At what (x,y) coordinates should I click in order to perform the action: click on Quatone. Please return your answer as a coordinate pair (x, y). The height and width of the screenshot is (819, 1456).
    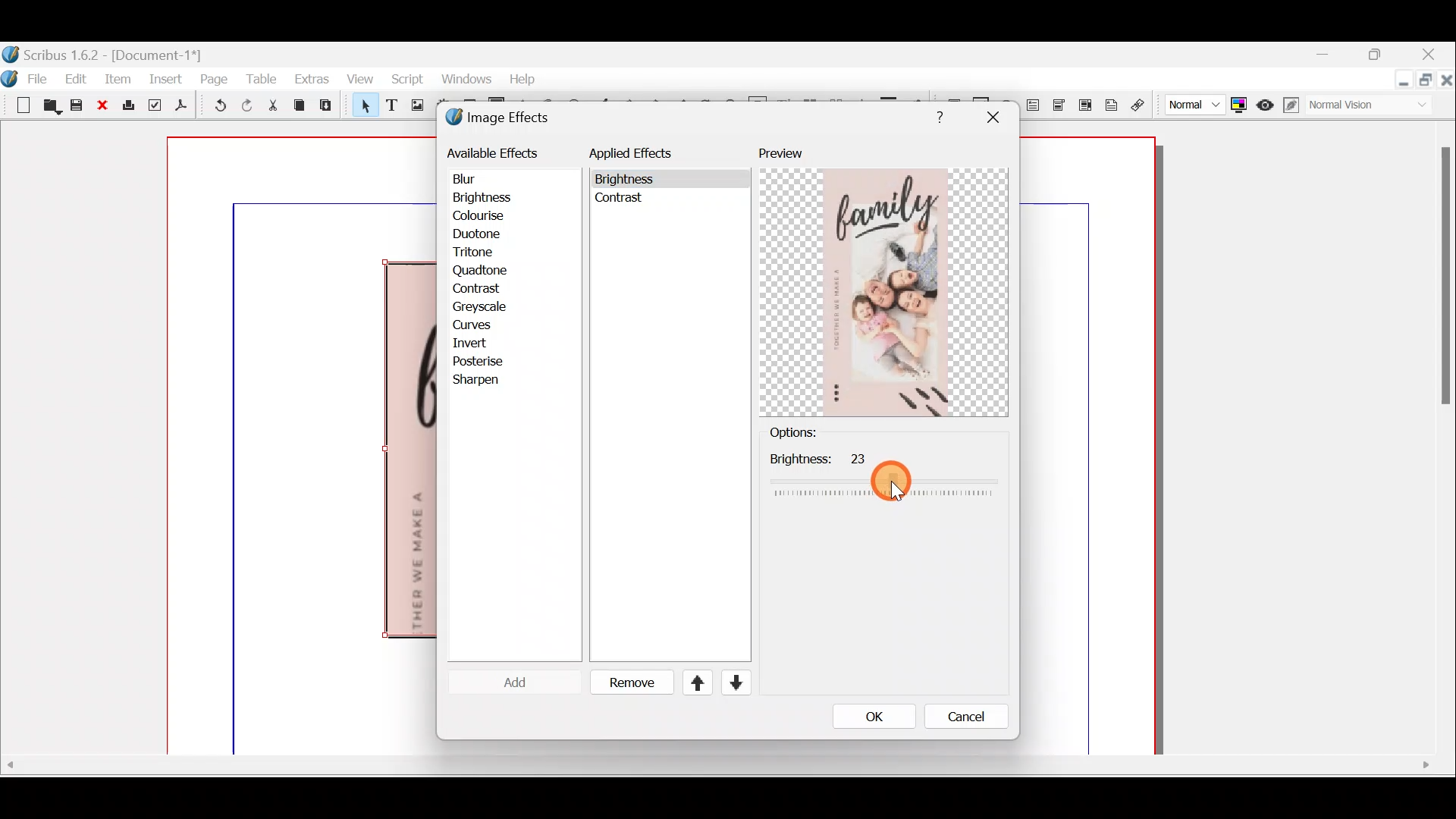
    Looking at the image, I should click on (480, 270).